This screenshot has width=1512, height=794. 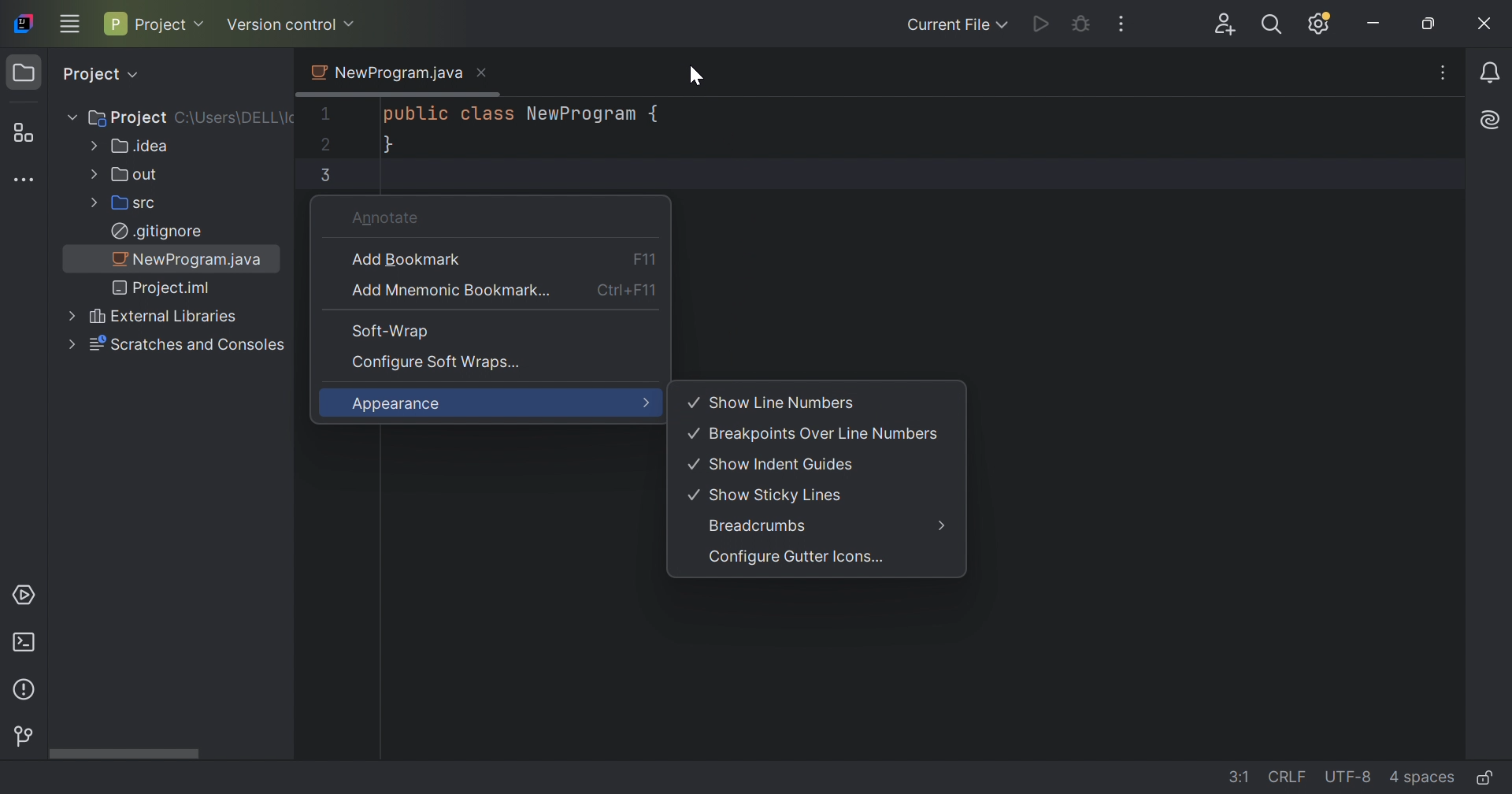 What do you see at coordinates (943, 525) in the screenshot?
I see `More` at bounding box center [943, 525].